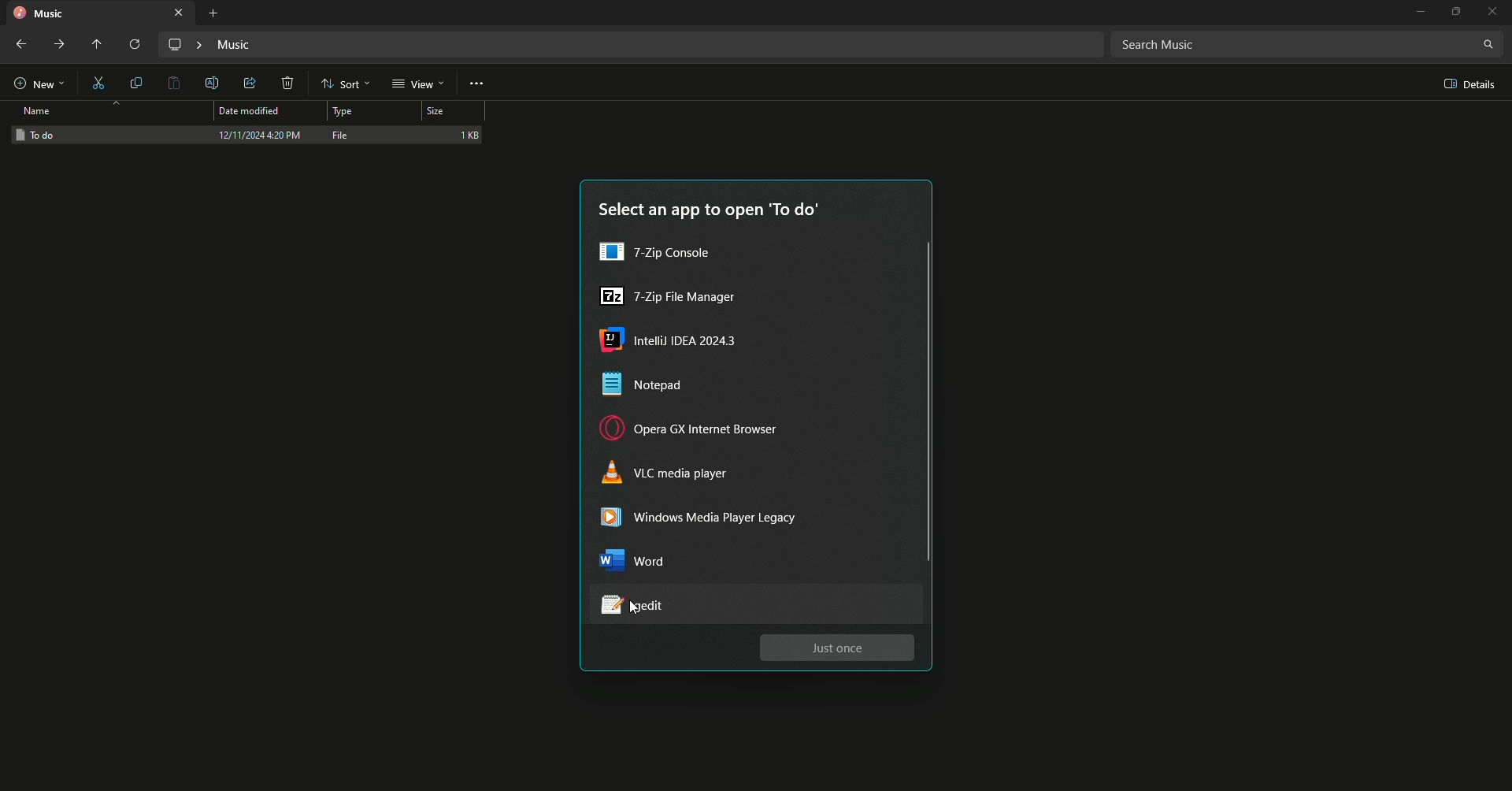 Image resolution: width=1512 pixels, height=791 pixels. What do you see at coordinates (136, 44) in the screenshot?
I see `Reload` at bounding box center [136, 44].